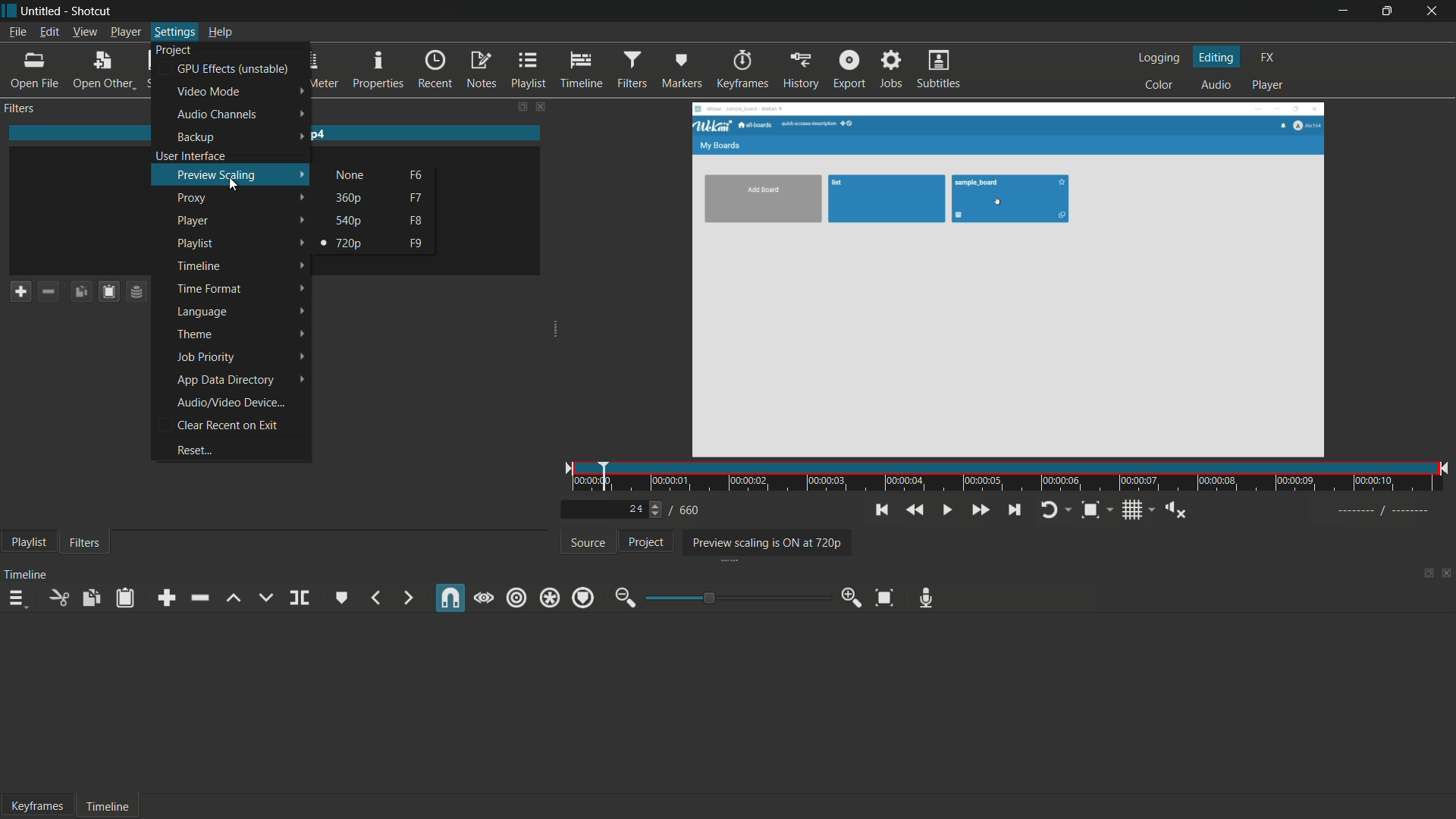 The height and width of the screenshot is (819, 1456). What do you see at coordinates (416, 221) in the screenshot?
I see `keyboard shortcut` at bounding box center [416, 221].